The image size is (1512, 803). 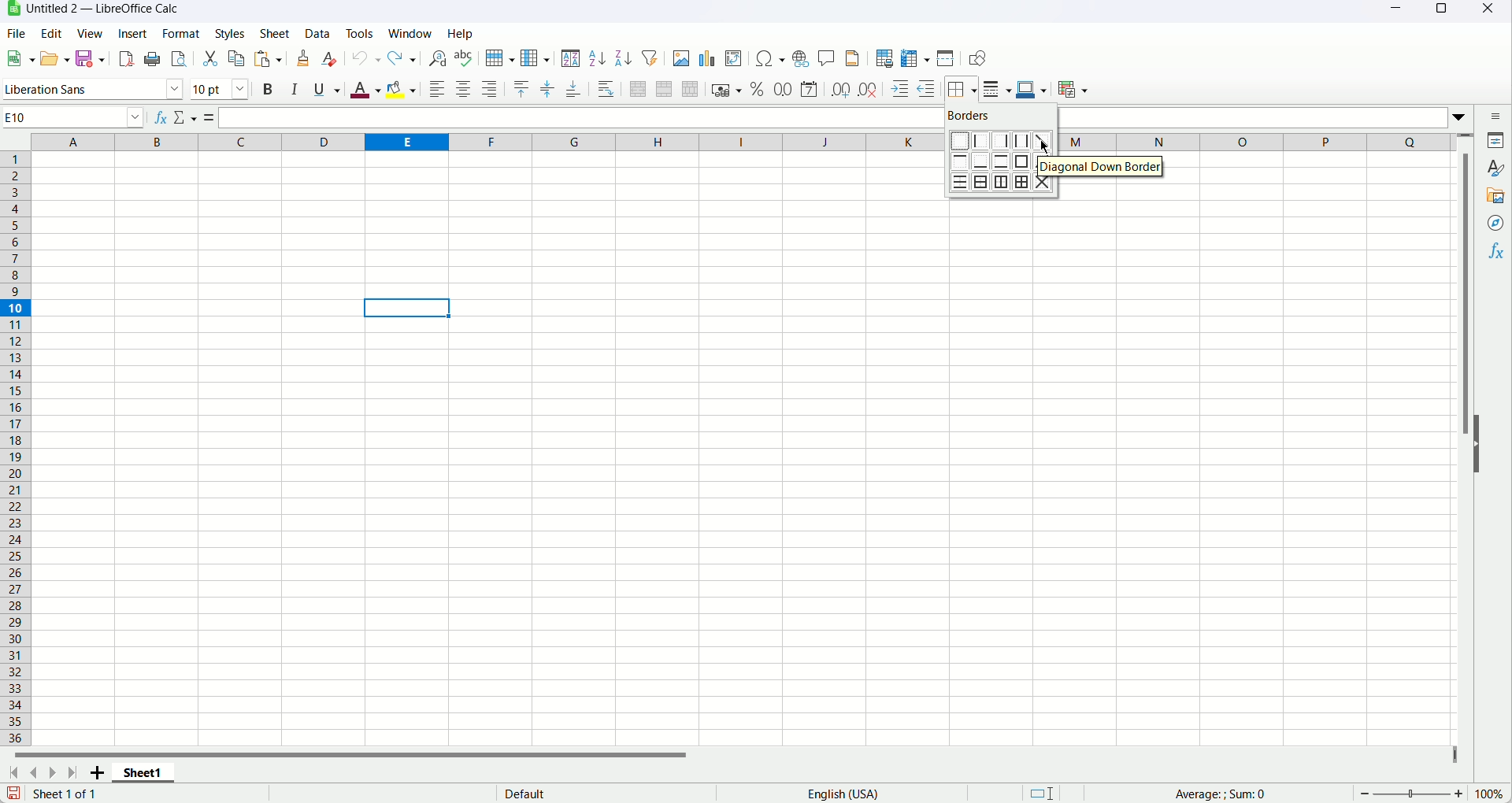 I want to click on Italic, so click(x=295, y=89).